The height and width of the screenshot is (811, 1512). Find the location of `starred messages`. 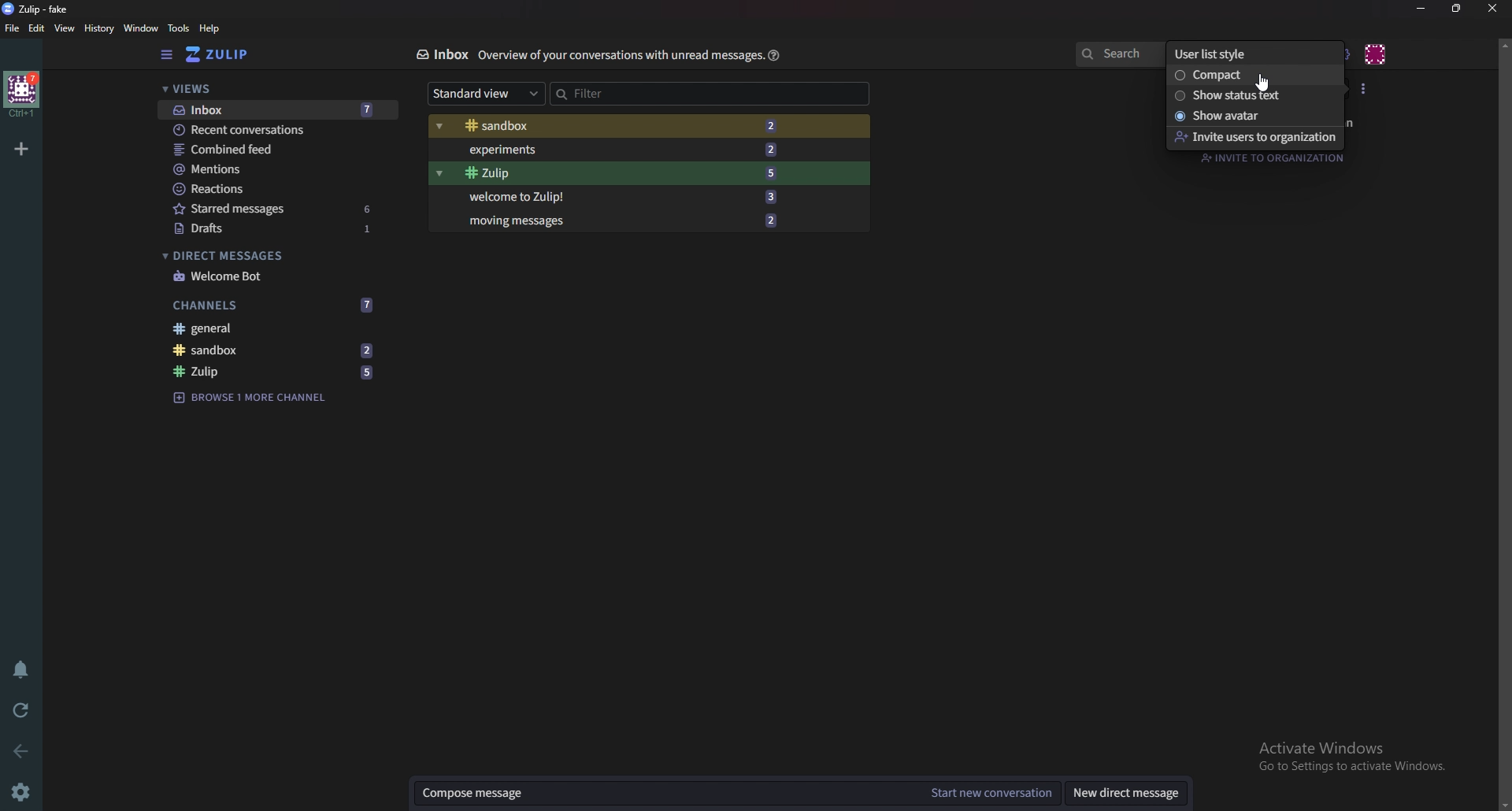

starred messages is located at coordinates (273, 208).